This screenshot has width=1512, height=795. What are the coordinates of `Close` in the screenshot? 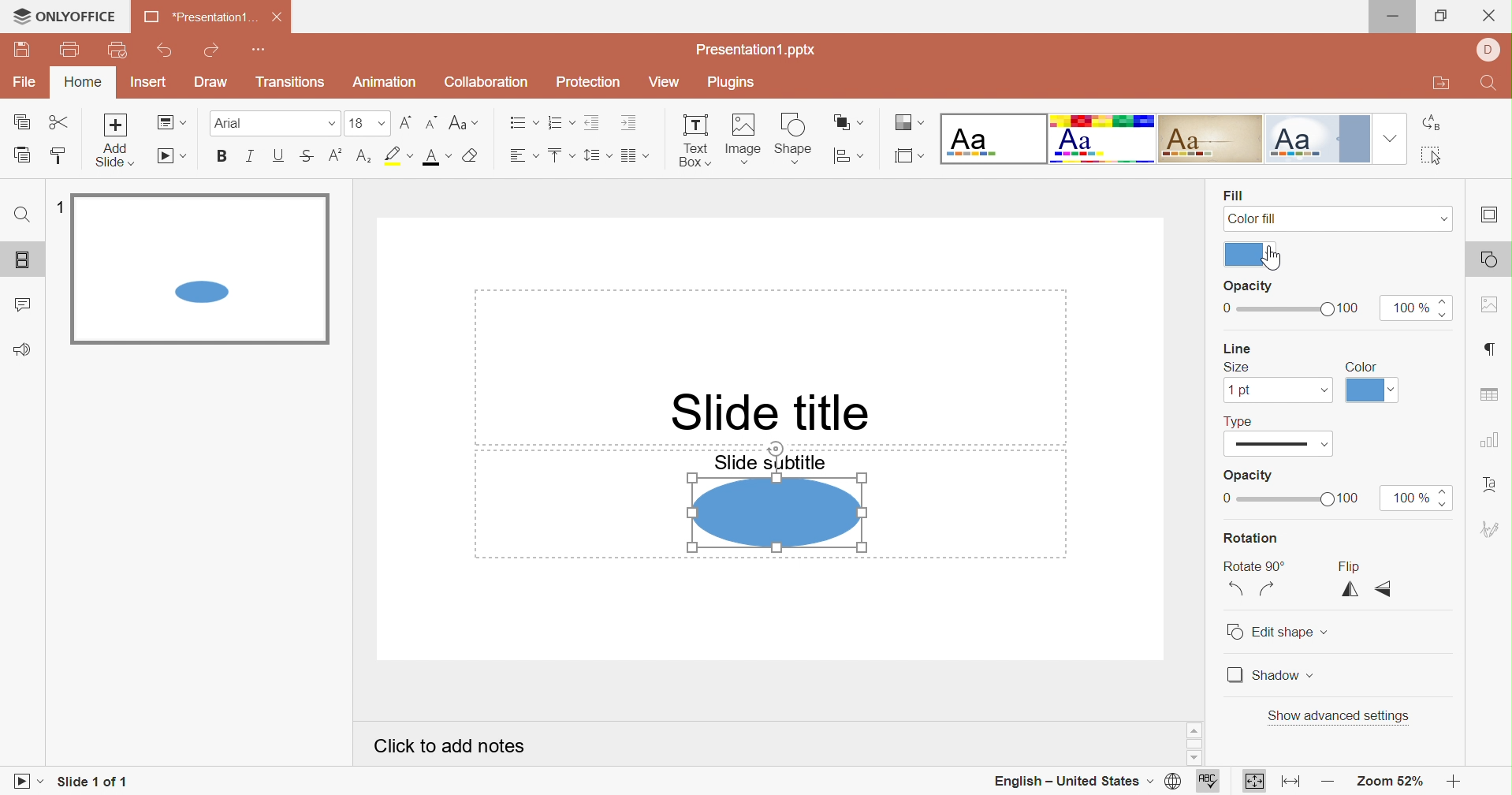 It's located at (1489, 16).